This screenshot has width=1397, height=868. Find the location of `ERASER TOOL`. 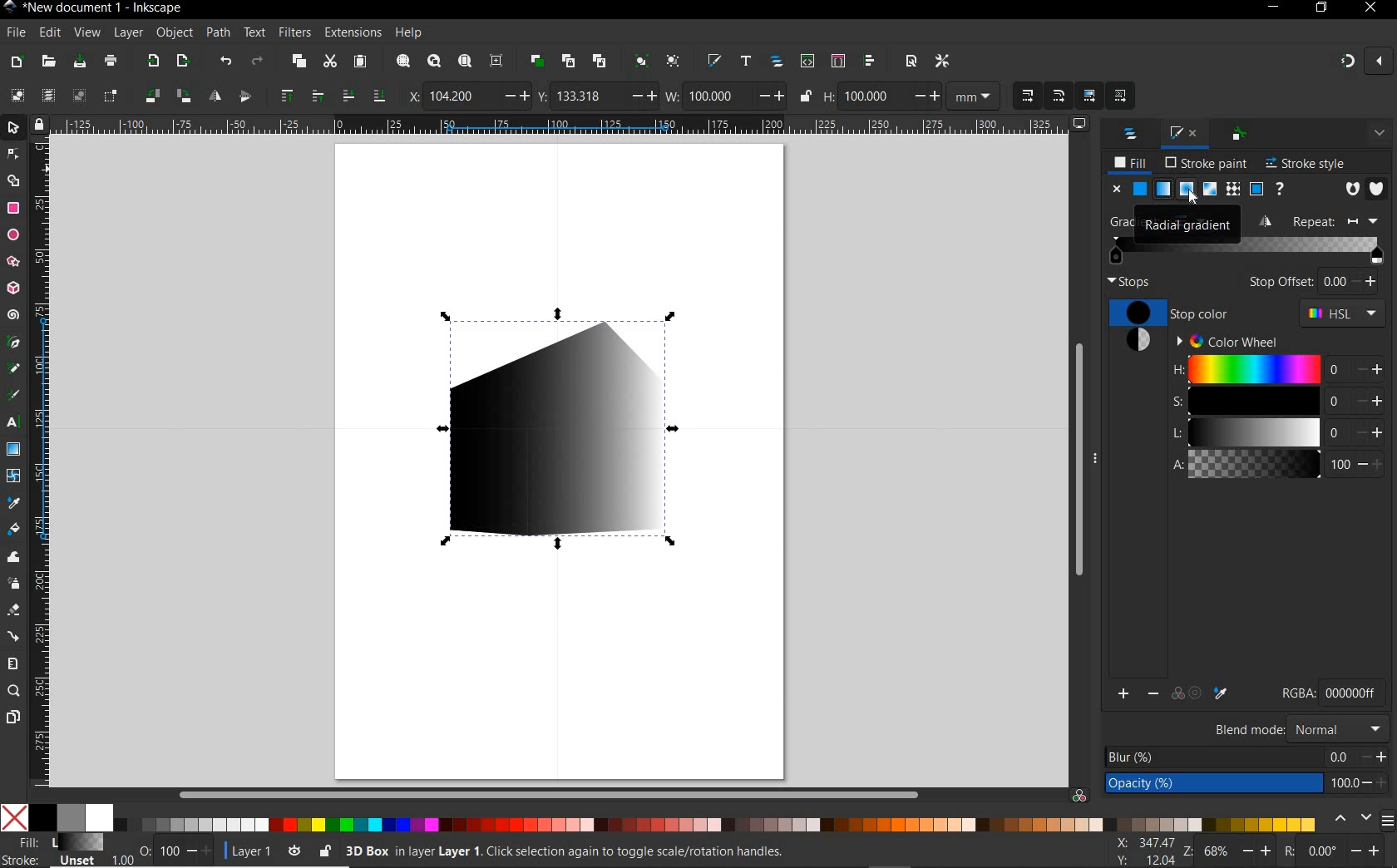

ERASER TOOL is located at coordinates (14, 609).